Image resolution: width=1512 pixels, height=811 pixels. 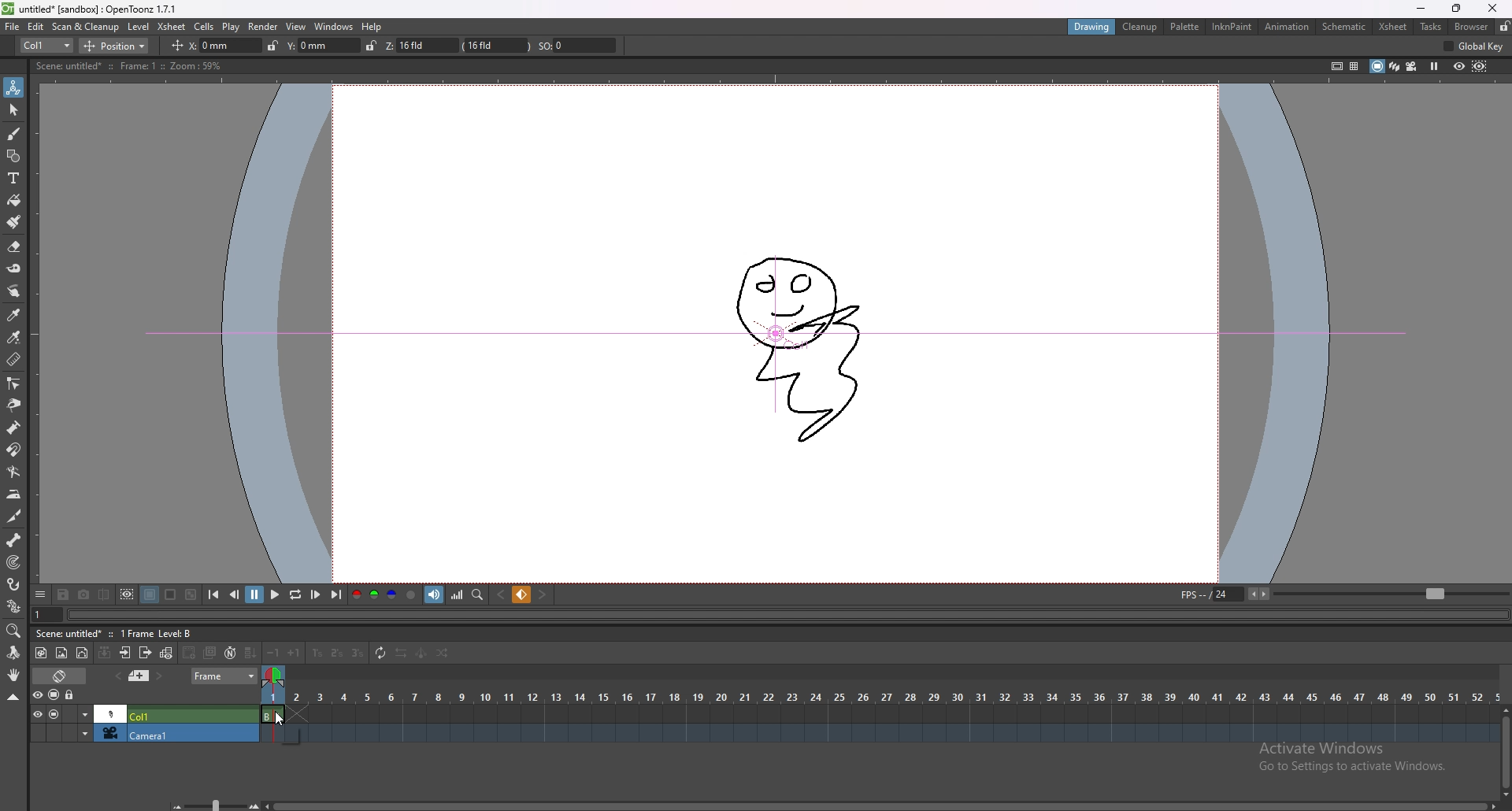 I want to click on resize, so click(x=1454, y=9).